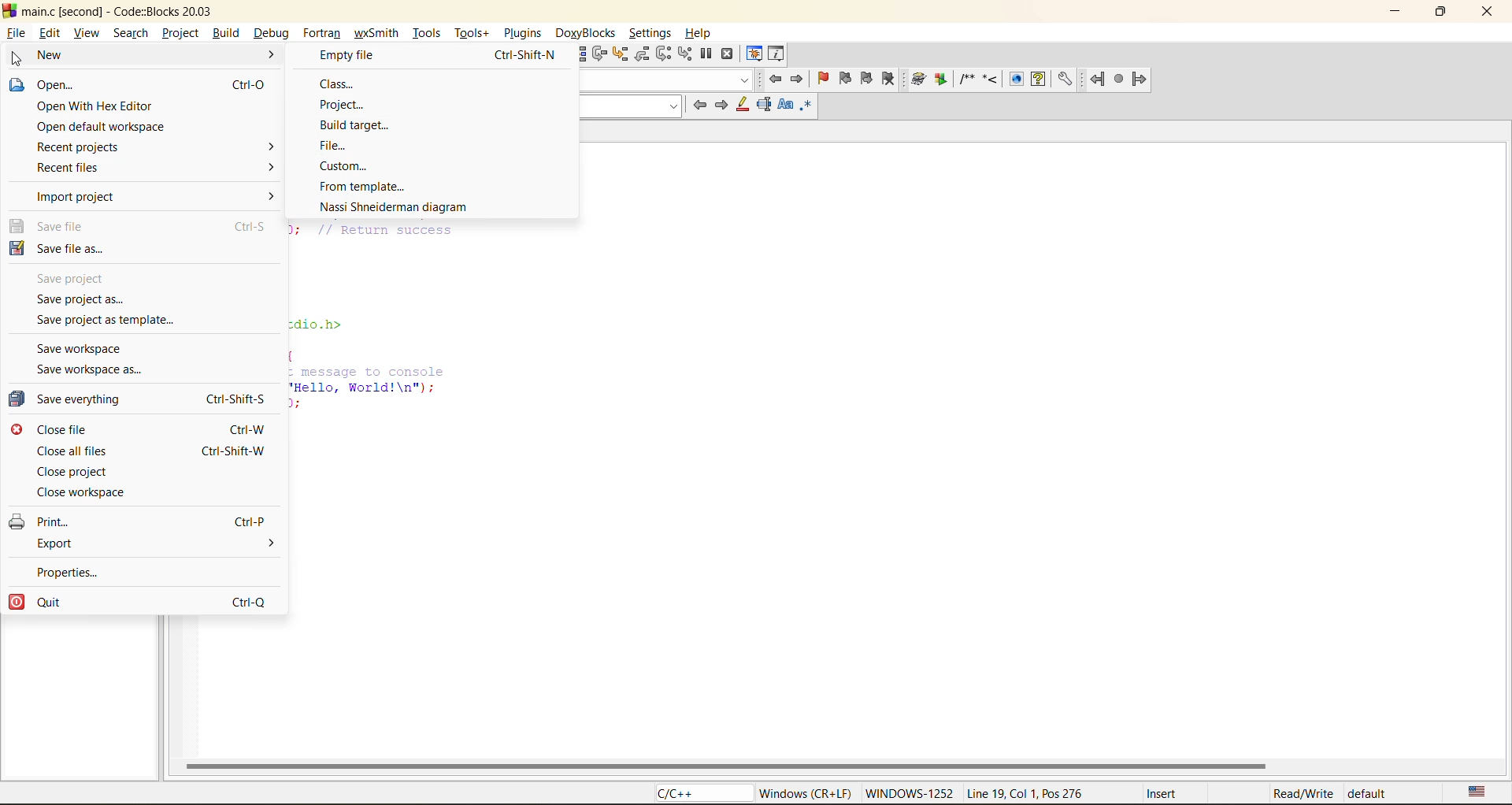 This screenshot has height=805, width=1512. What do you see at coordinates (754, 55) in the screenshot?
I see `debugging windows` at bounding box center [754, 55].